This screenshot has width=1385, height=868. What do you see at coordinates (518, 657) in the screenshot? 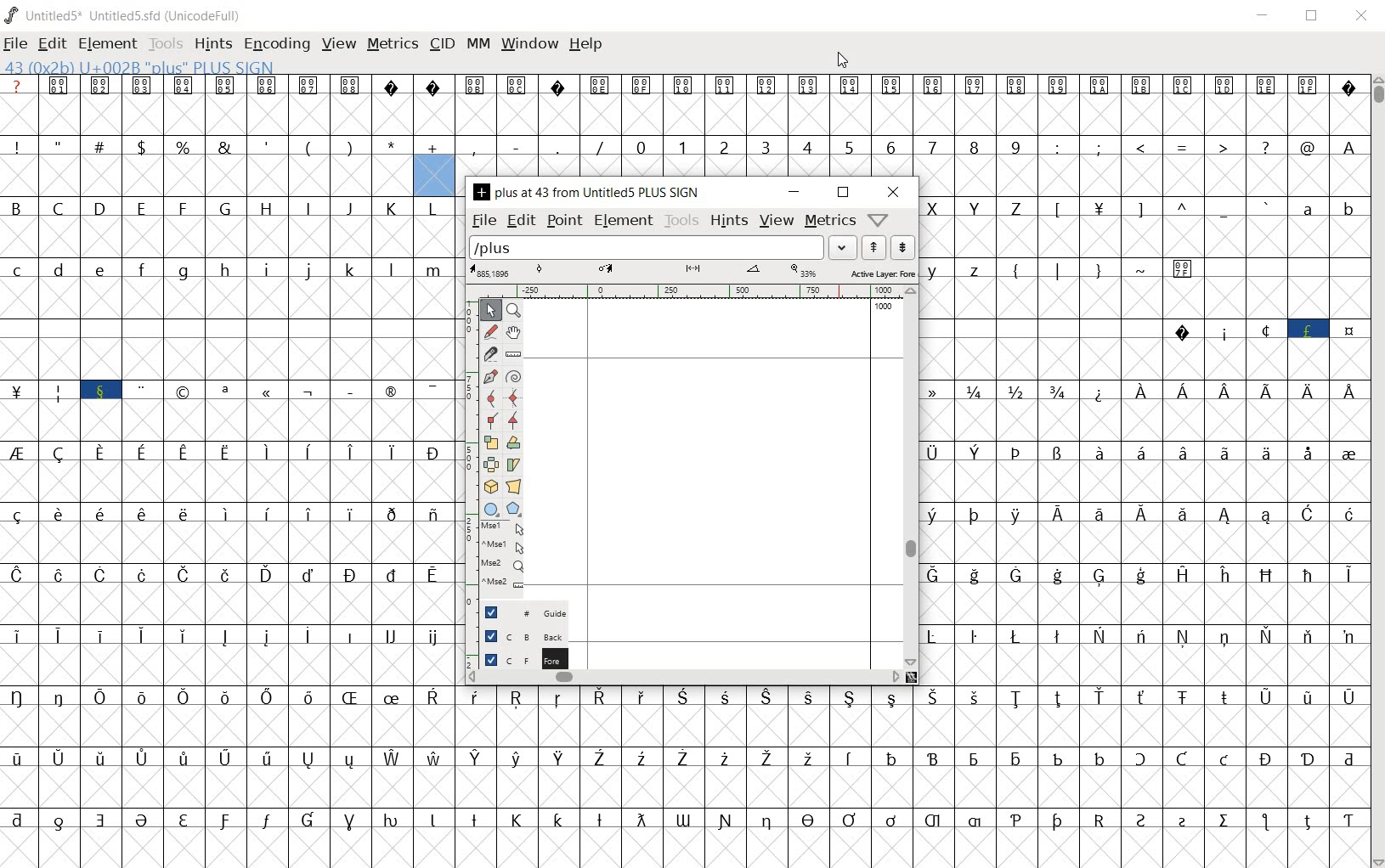
I see `foreground` at bounding box center [518, 657].